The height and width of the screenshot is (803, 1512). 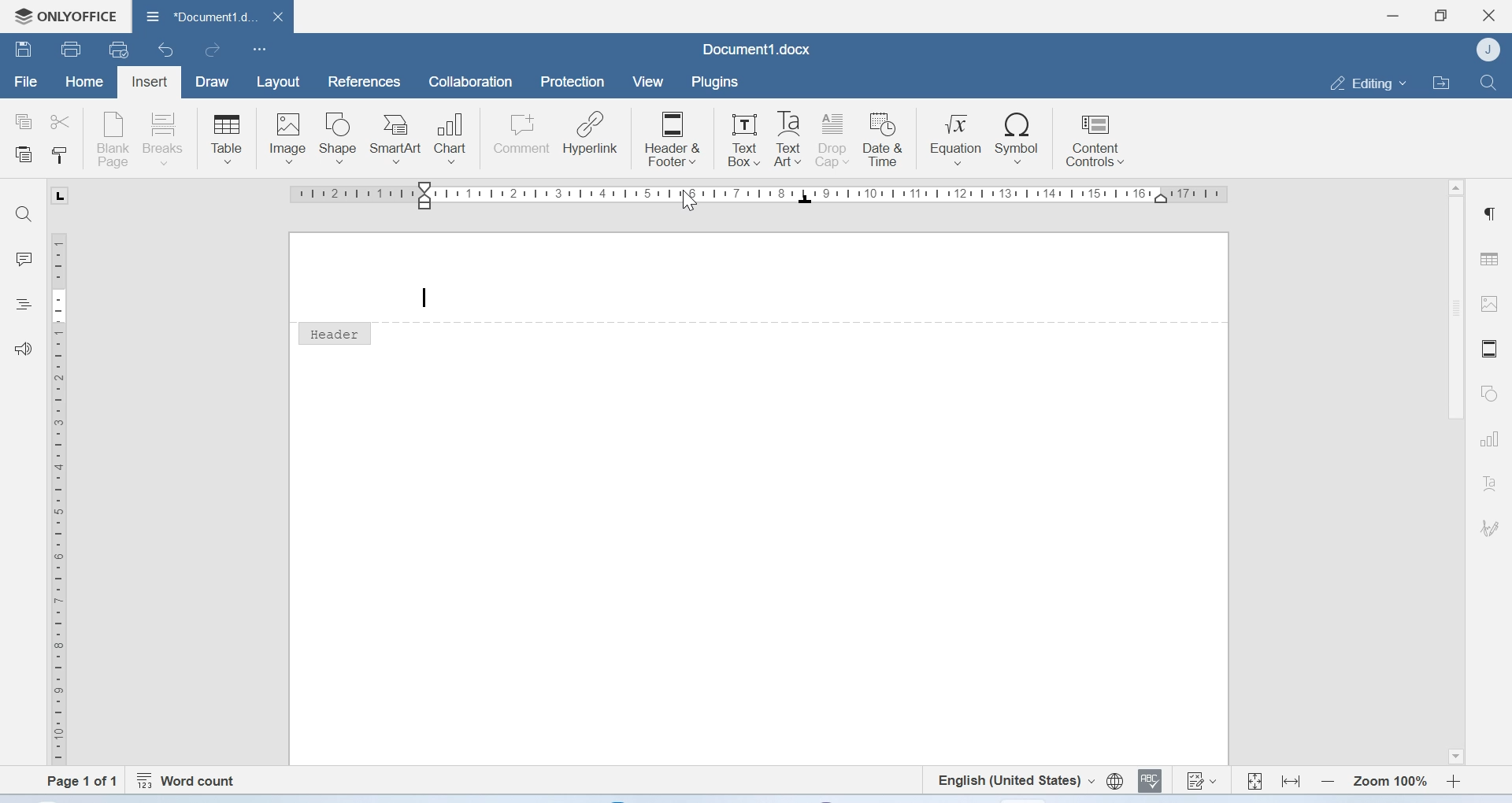 What do you see at coordinates (471, 83) in the screenshot?
I see `Collaboration` at bounding box center [471, 83].